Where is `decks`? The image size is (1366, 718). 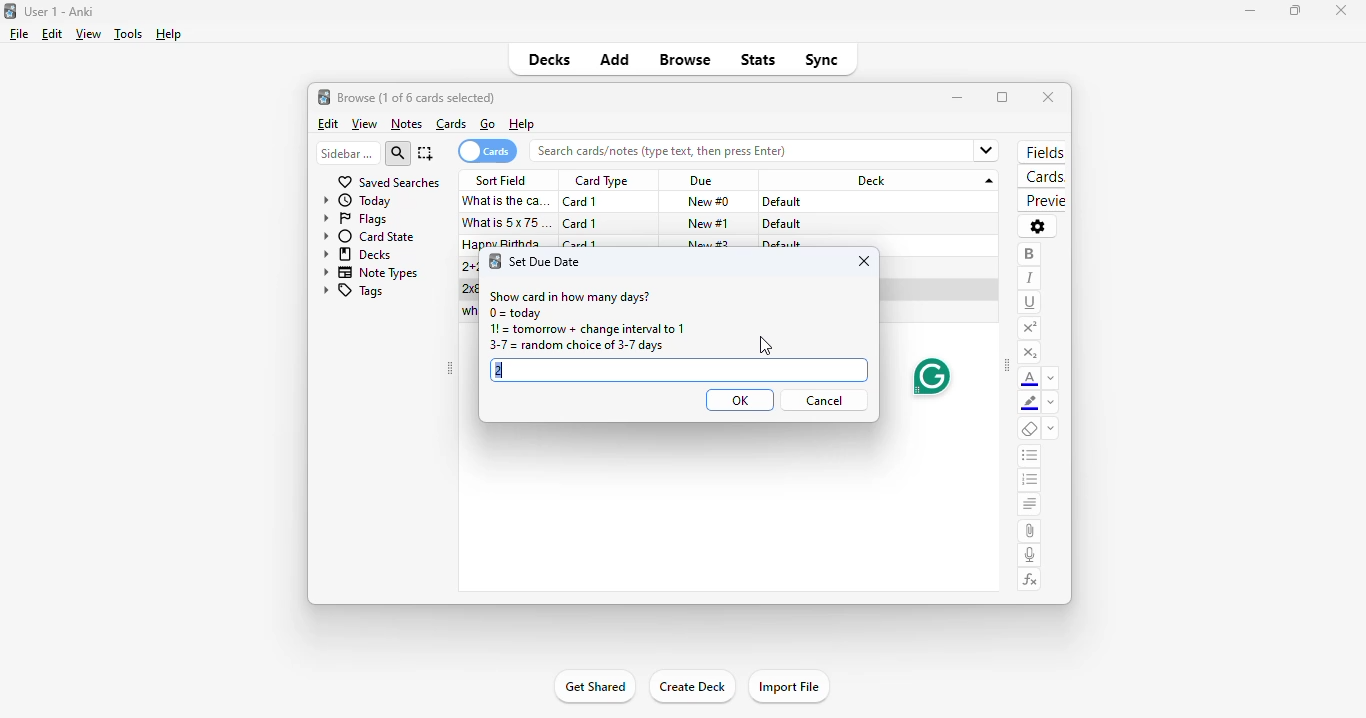
decks is located at coordinates (358, 254).